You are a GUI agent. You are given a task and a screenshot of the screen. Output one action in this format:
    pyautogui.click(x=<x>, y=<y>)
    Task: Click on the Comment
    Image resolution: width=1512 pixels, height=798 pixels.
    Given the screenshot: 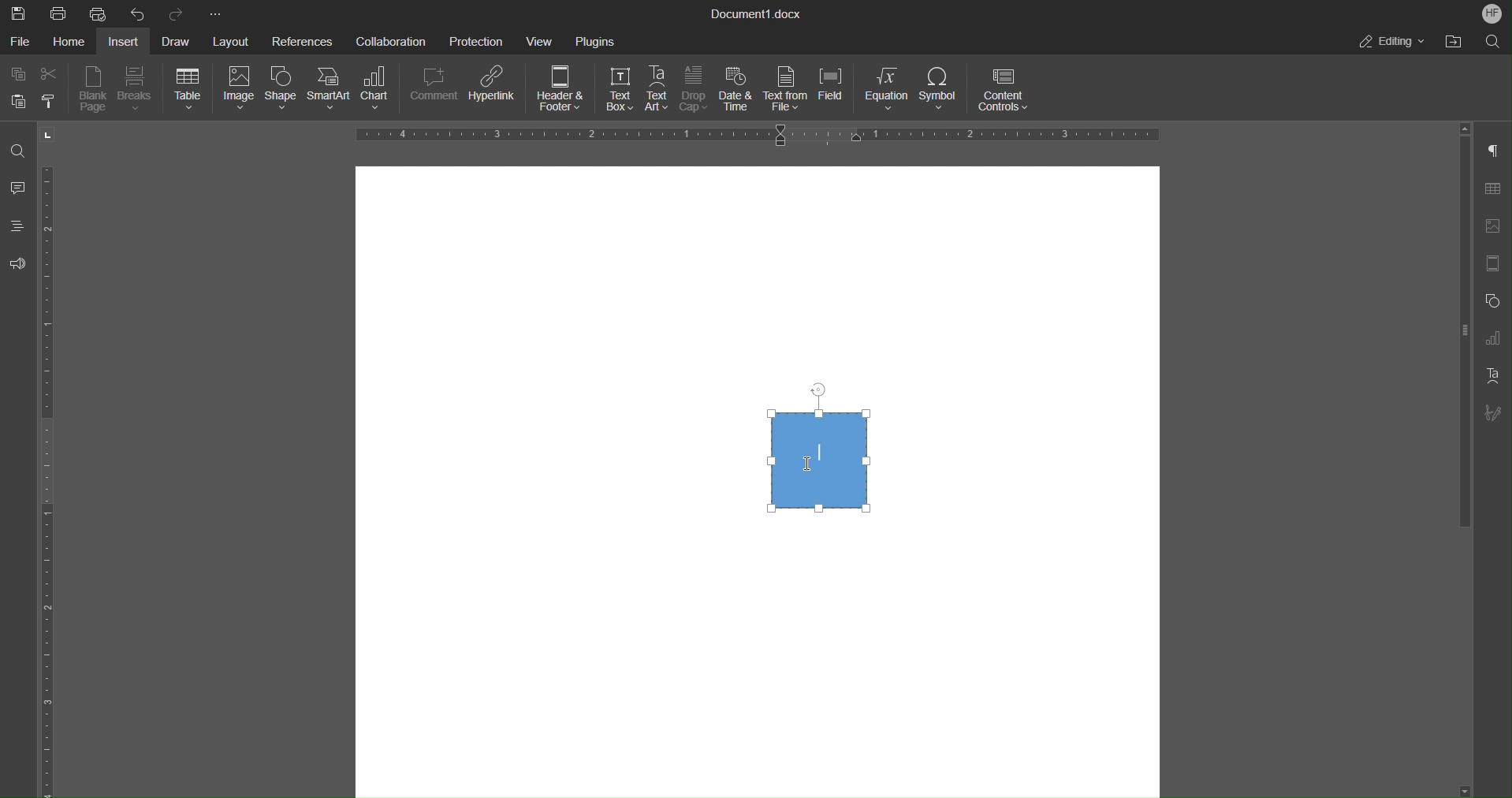 What is the action you would take?
    pyautogui.click(x=435, y=91)
    